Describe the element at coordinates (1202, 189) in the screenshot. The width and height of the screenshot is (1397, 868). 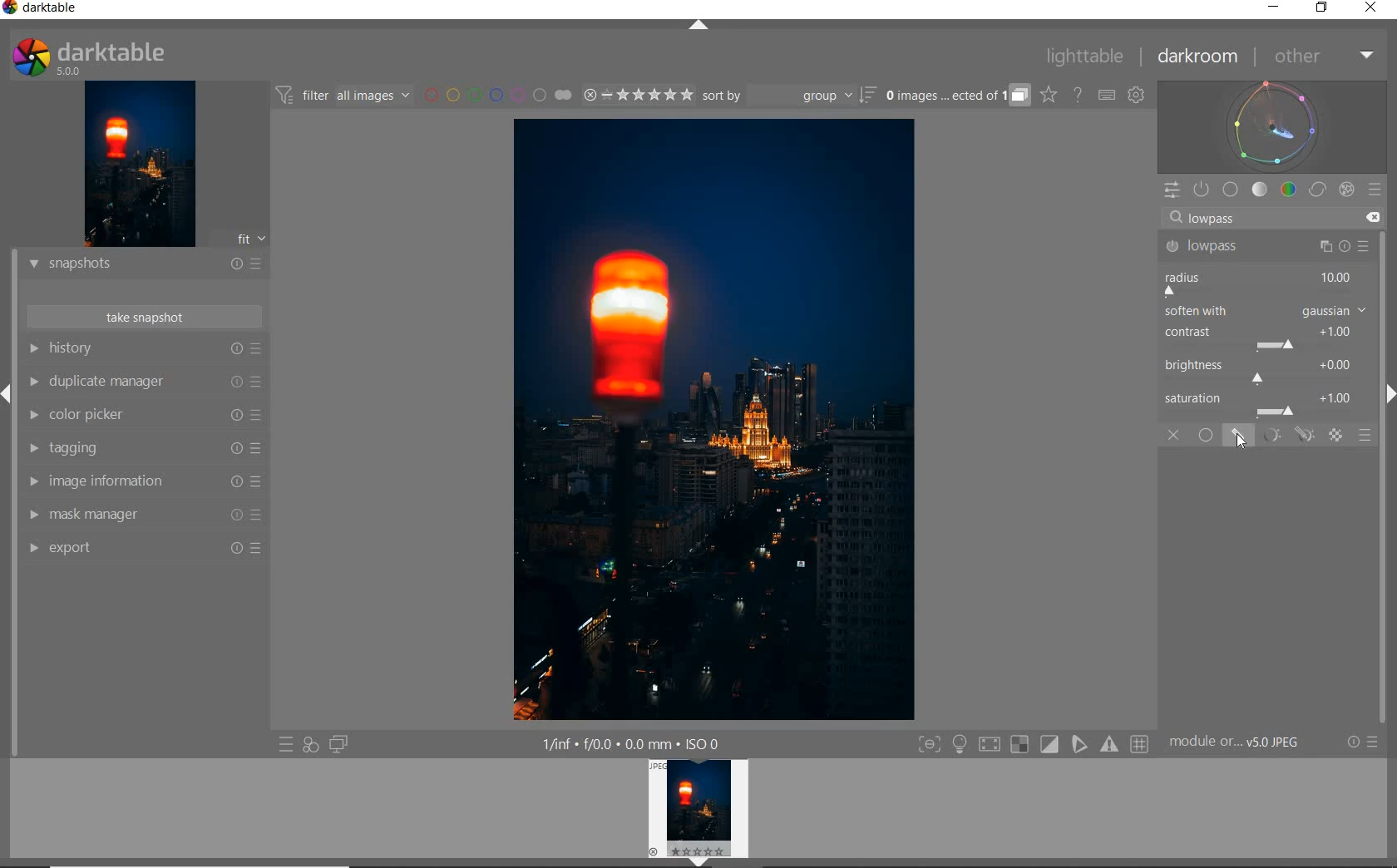
I see `SHOW ONLY ACTIVE MODULES` at that location.